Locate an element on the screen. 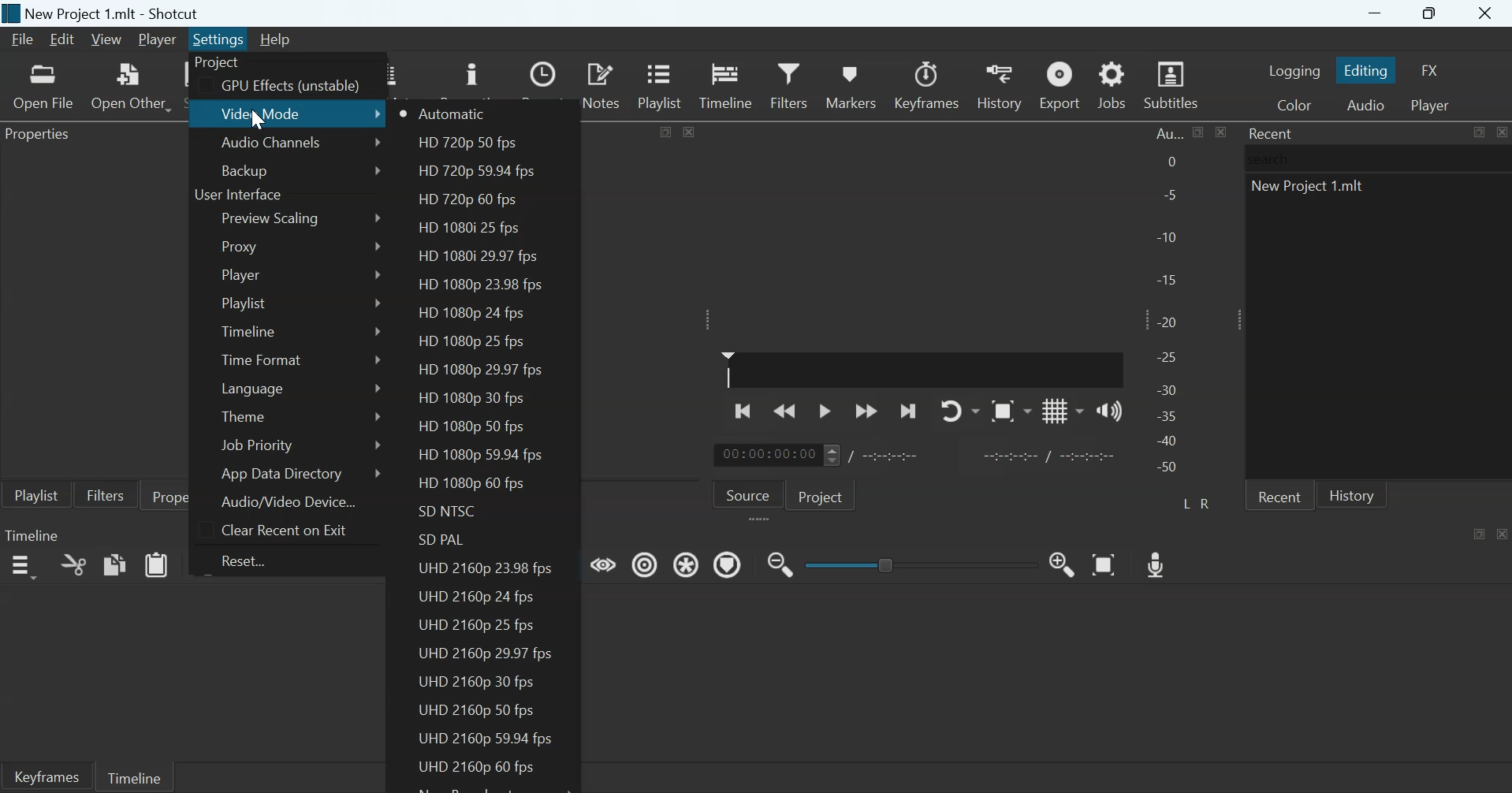  New Project 1.mlt - Shotcut is located at coordinates (114, 13).